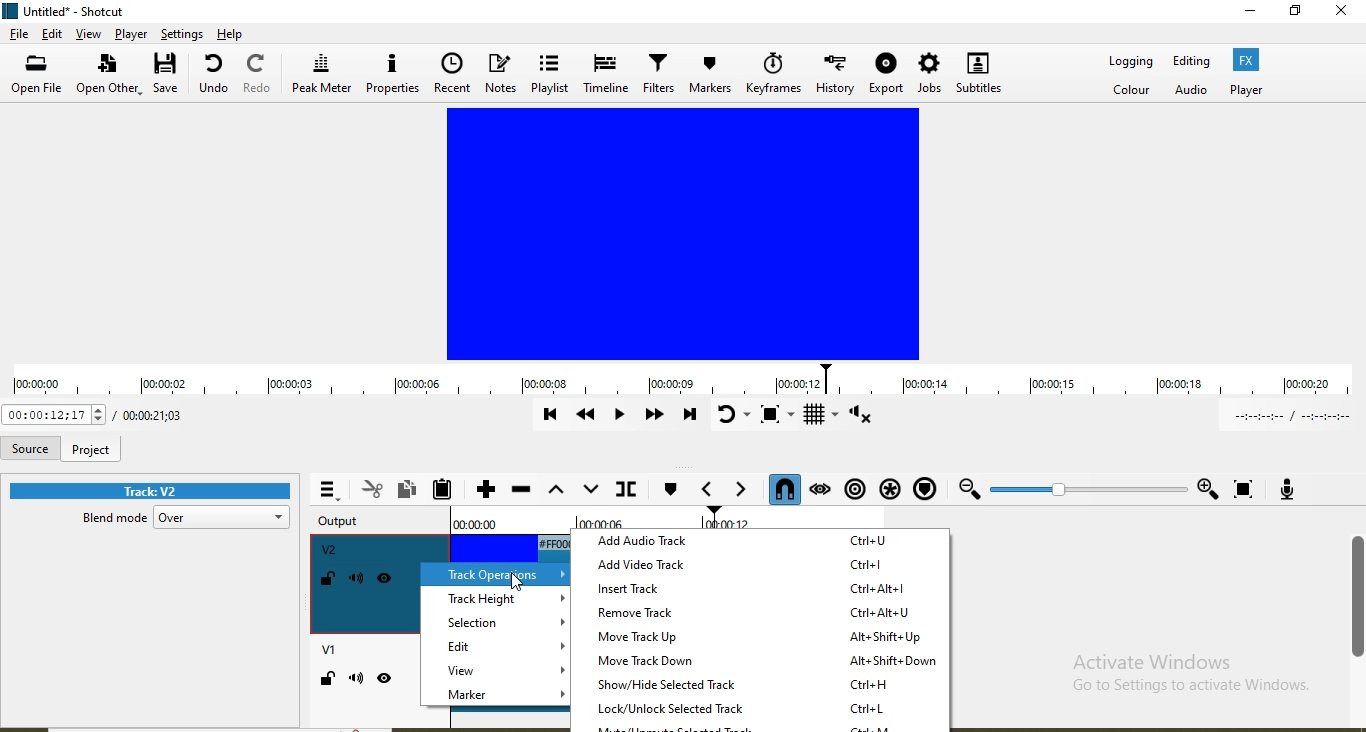 This screenshot has height=732, width=1366. I want to click on Redo, so click(257, 79).